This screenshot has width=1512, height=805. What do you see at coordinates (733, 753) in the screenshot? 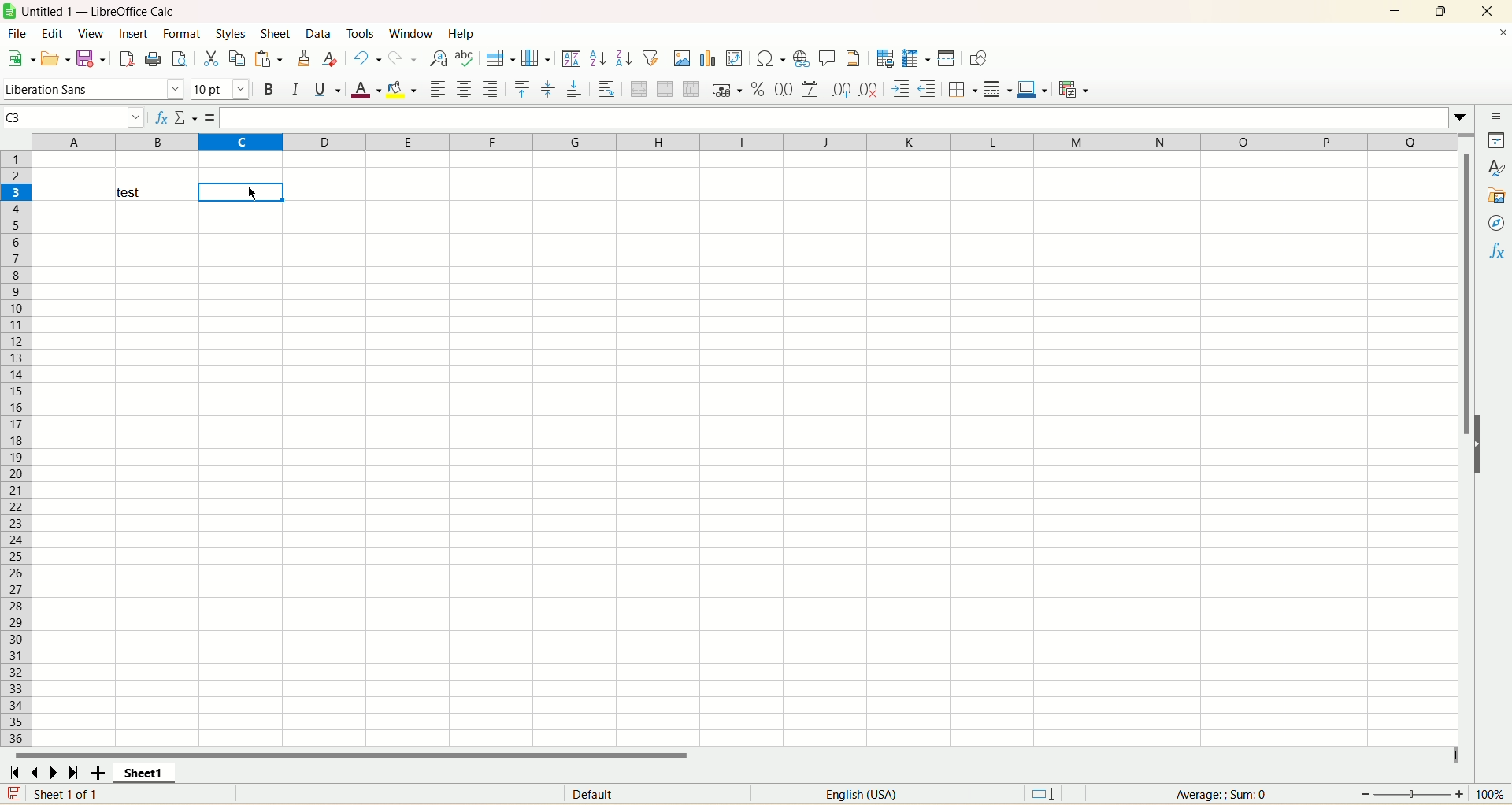
I see `horizontal scroll bar` at bounding box center [733, 753].